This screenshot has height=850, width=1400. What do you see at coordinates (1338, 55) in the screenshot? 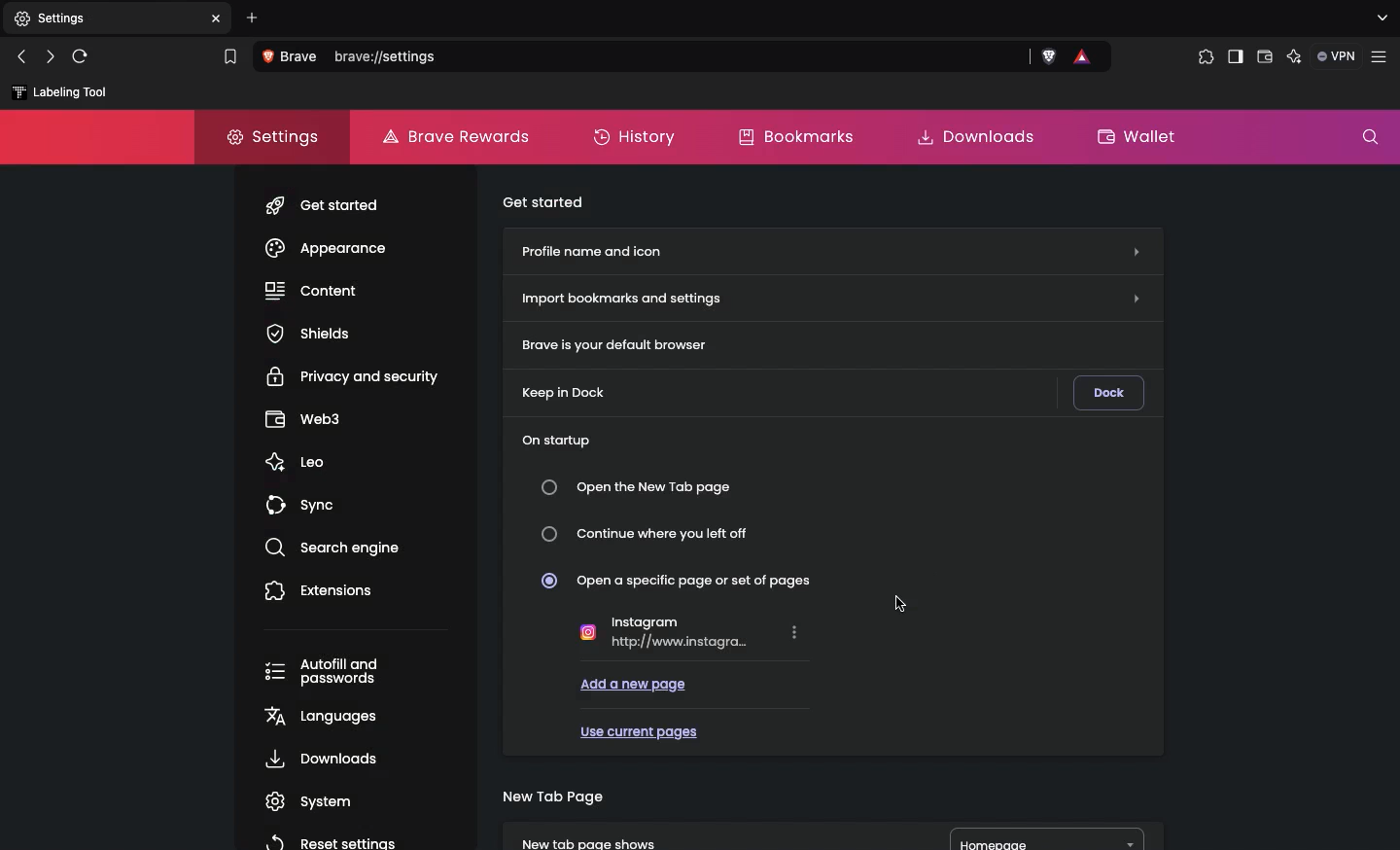
I see `VPN` at bounding box center [1338, 55].